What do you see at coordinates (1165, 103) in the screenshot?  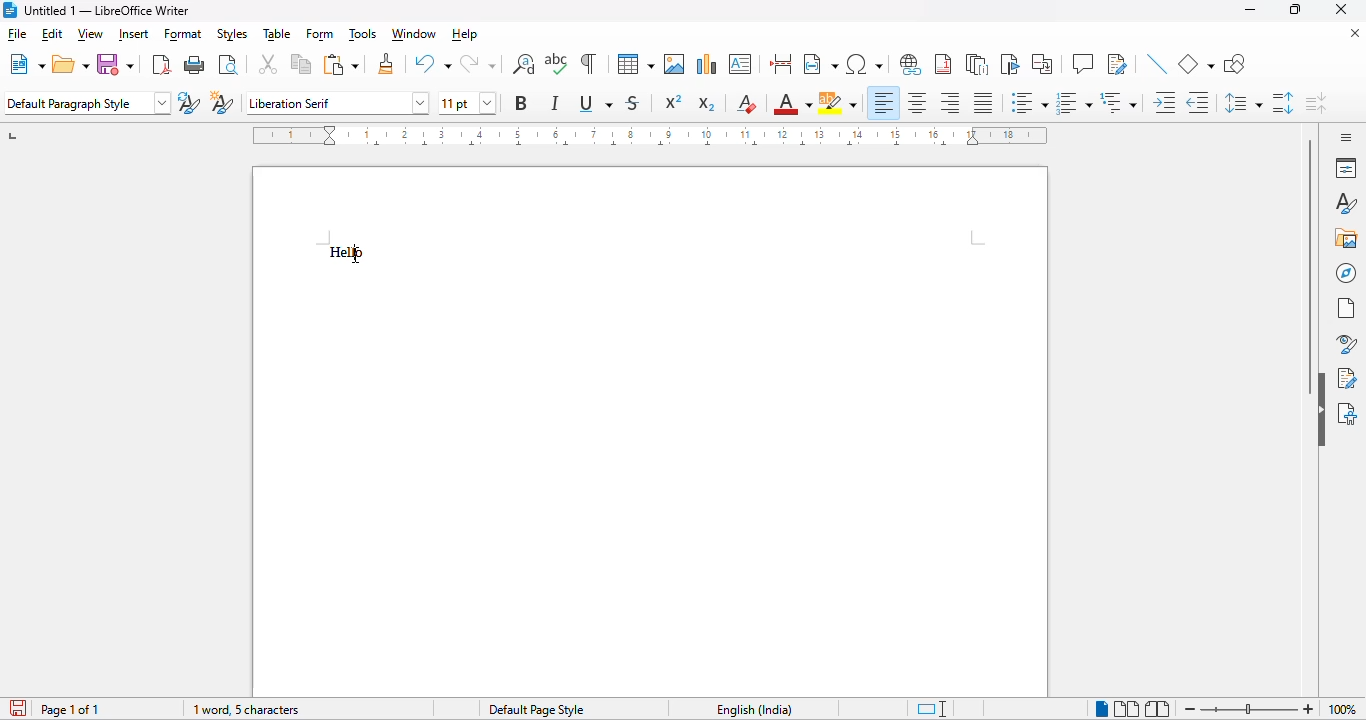 I see `increase indent` at bounding box center [1165, 103].